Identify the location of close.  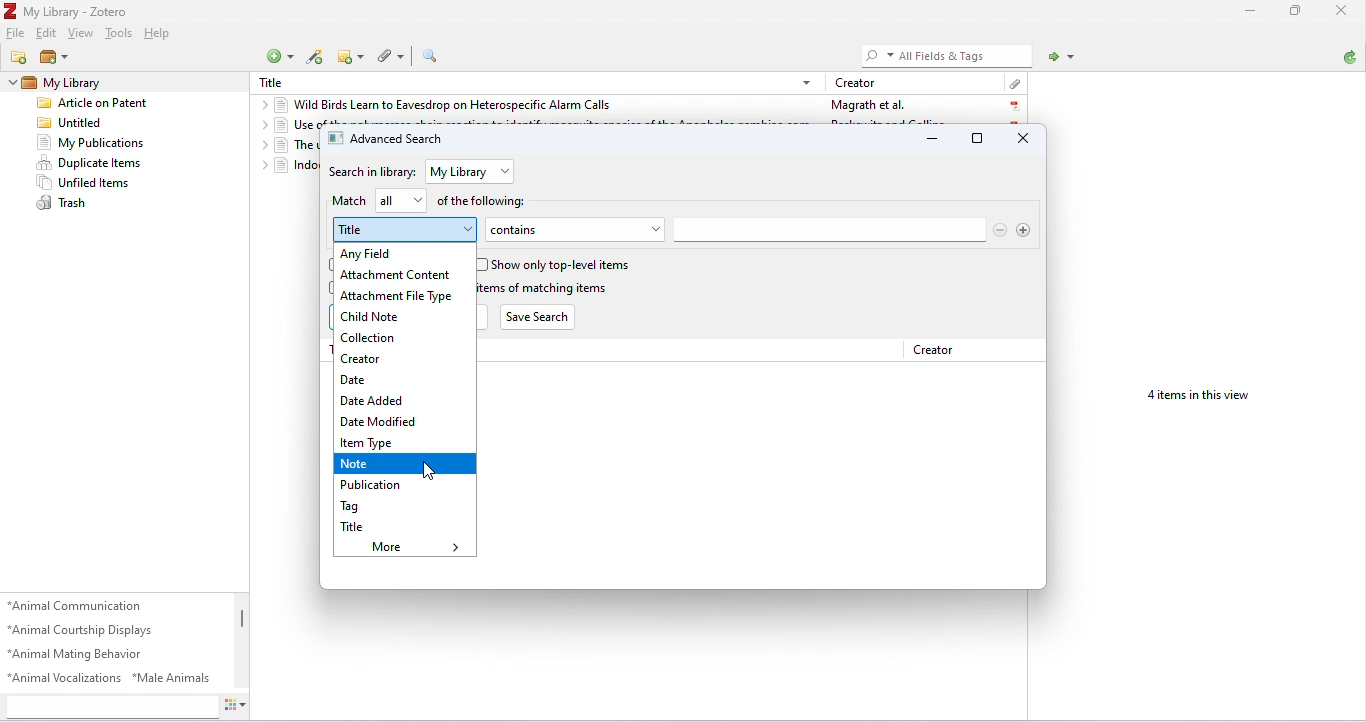
(1025, 139).